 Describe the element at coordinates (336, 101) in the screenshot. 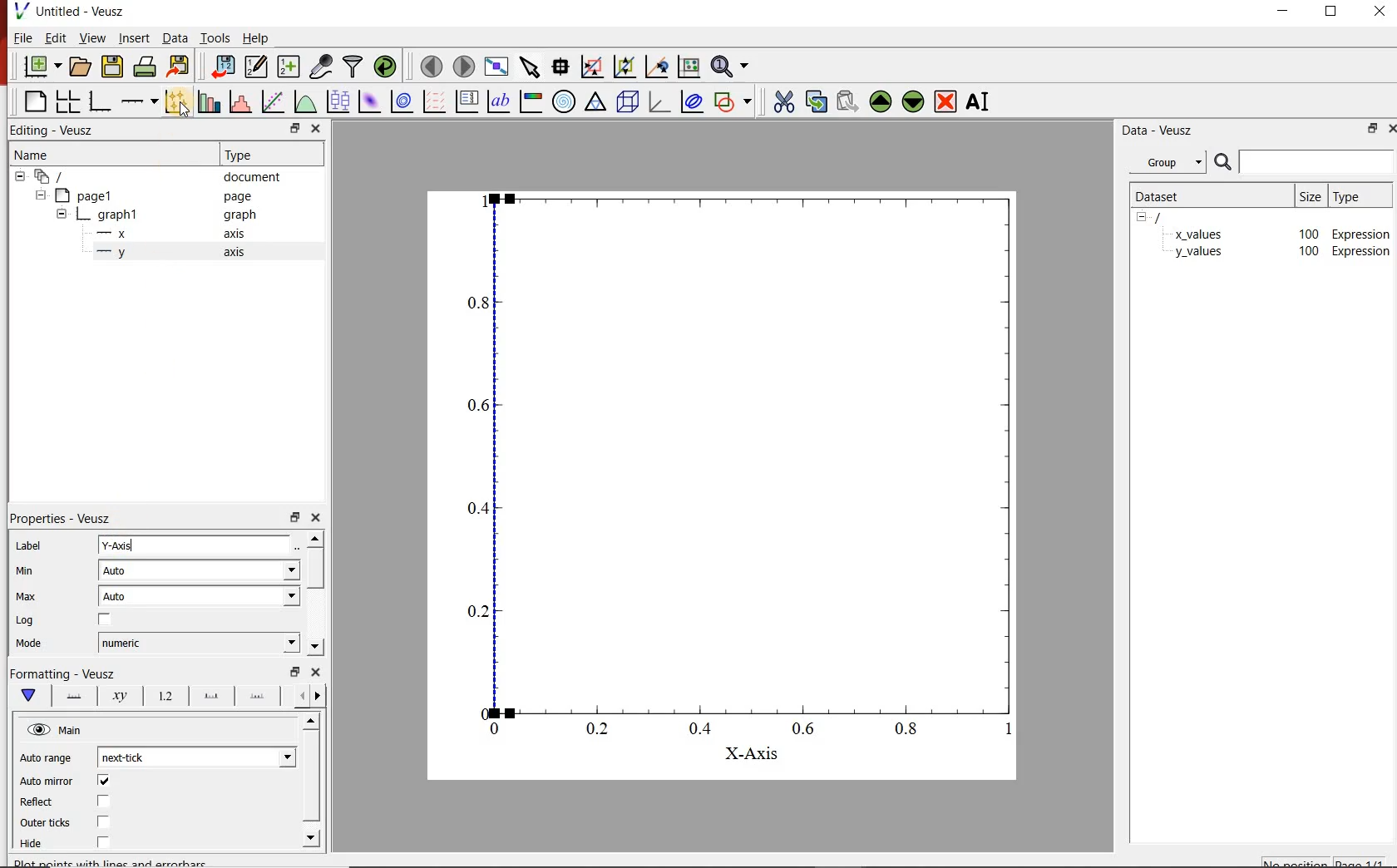

I see `plot box plots` at that location.